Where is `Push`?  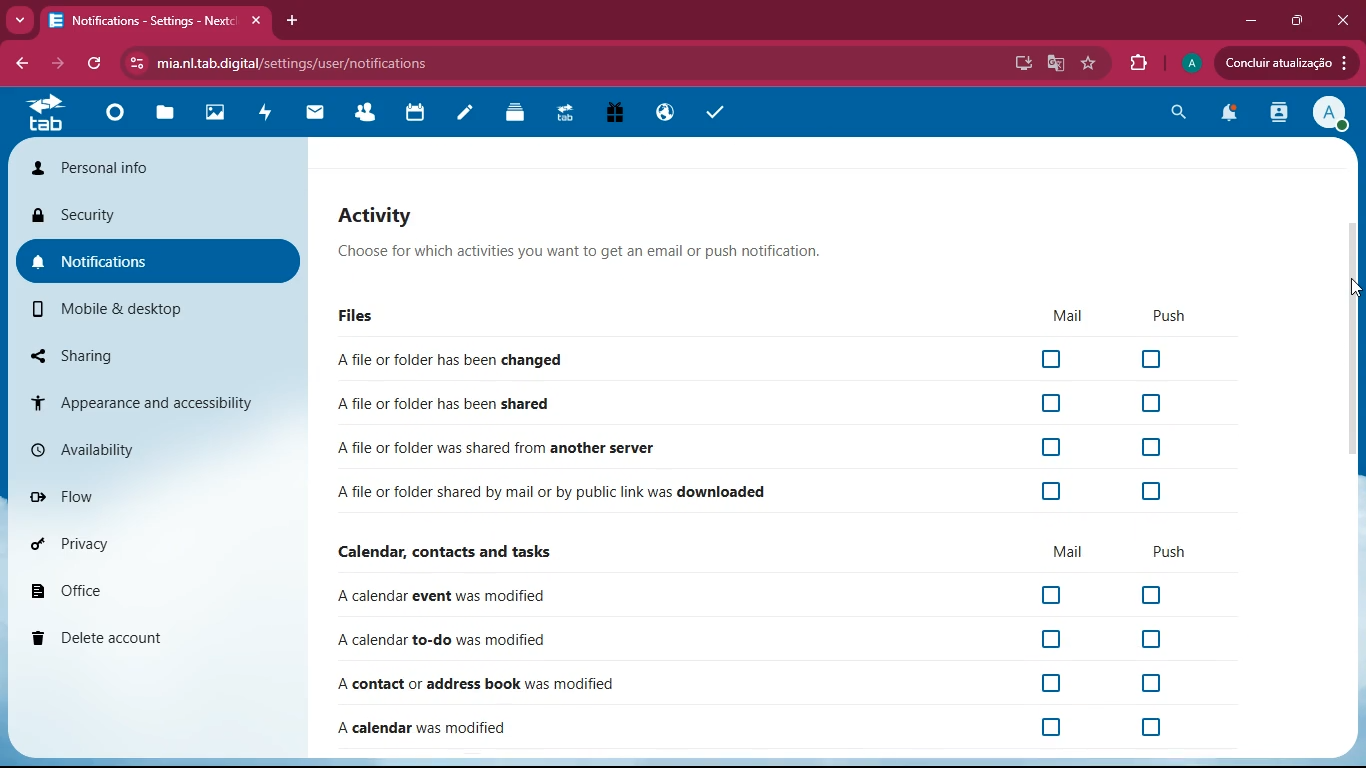 Push is located at coordinates (1162, 318).